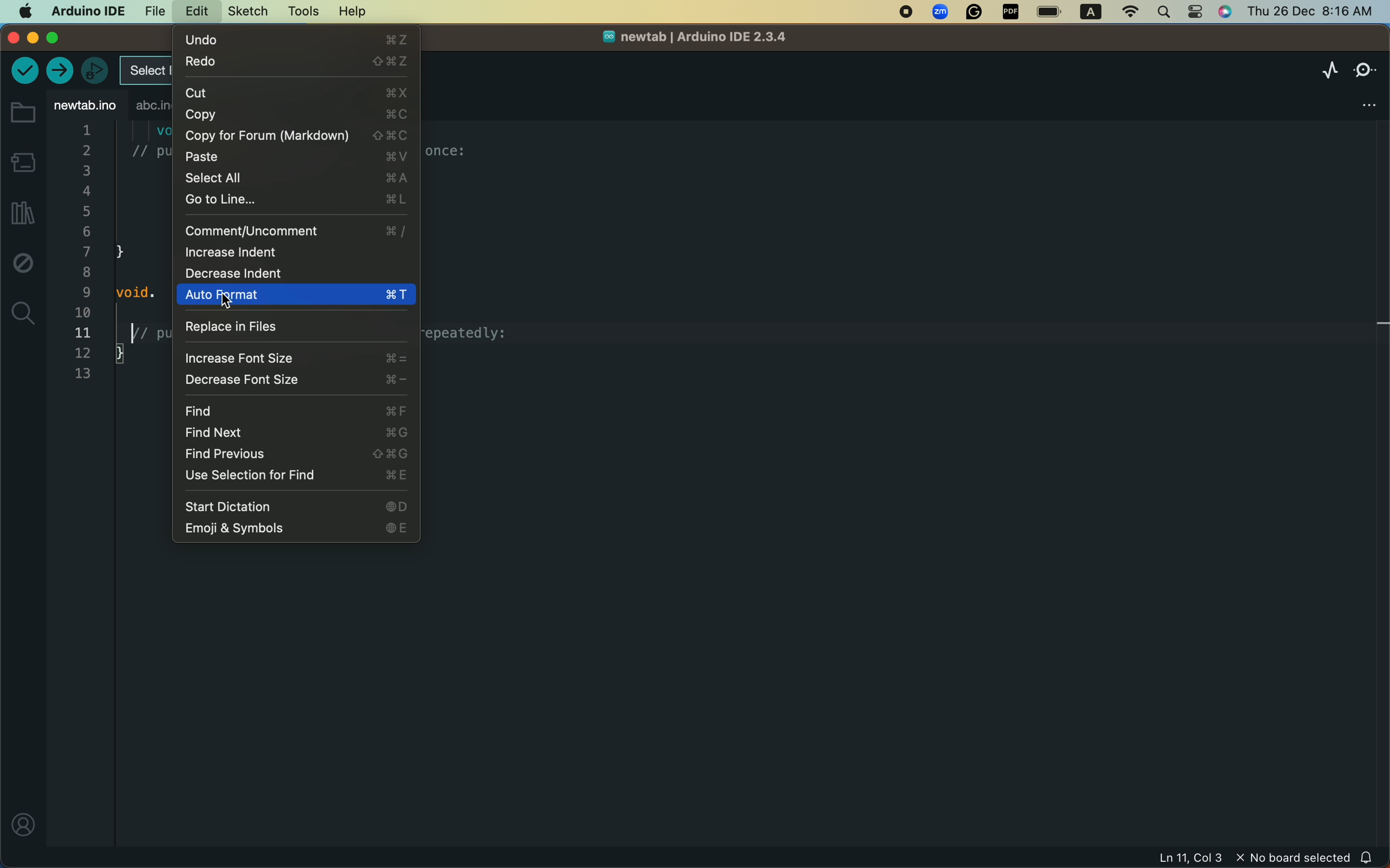 The width and height of the screenshot is (1390, 868). What do you see at coordinates (295, 359) in the screenshot?
I see `increase size` at bounding box center [295, 359].